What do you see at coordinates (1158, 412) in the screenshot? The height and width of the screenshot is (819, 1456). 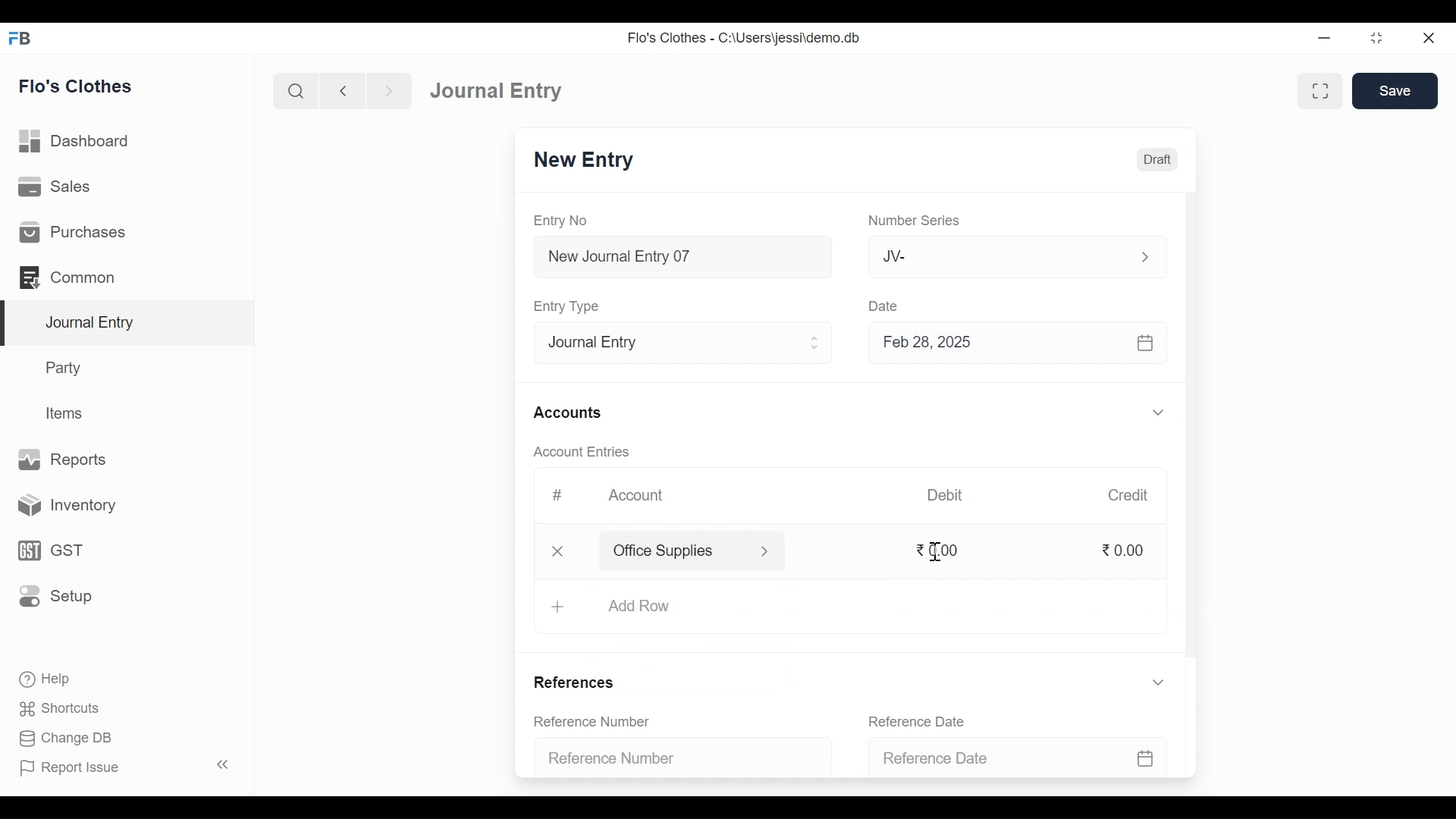 I see `Expand` at bounding box center [1158, 412].